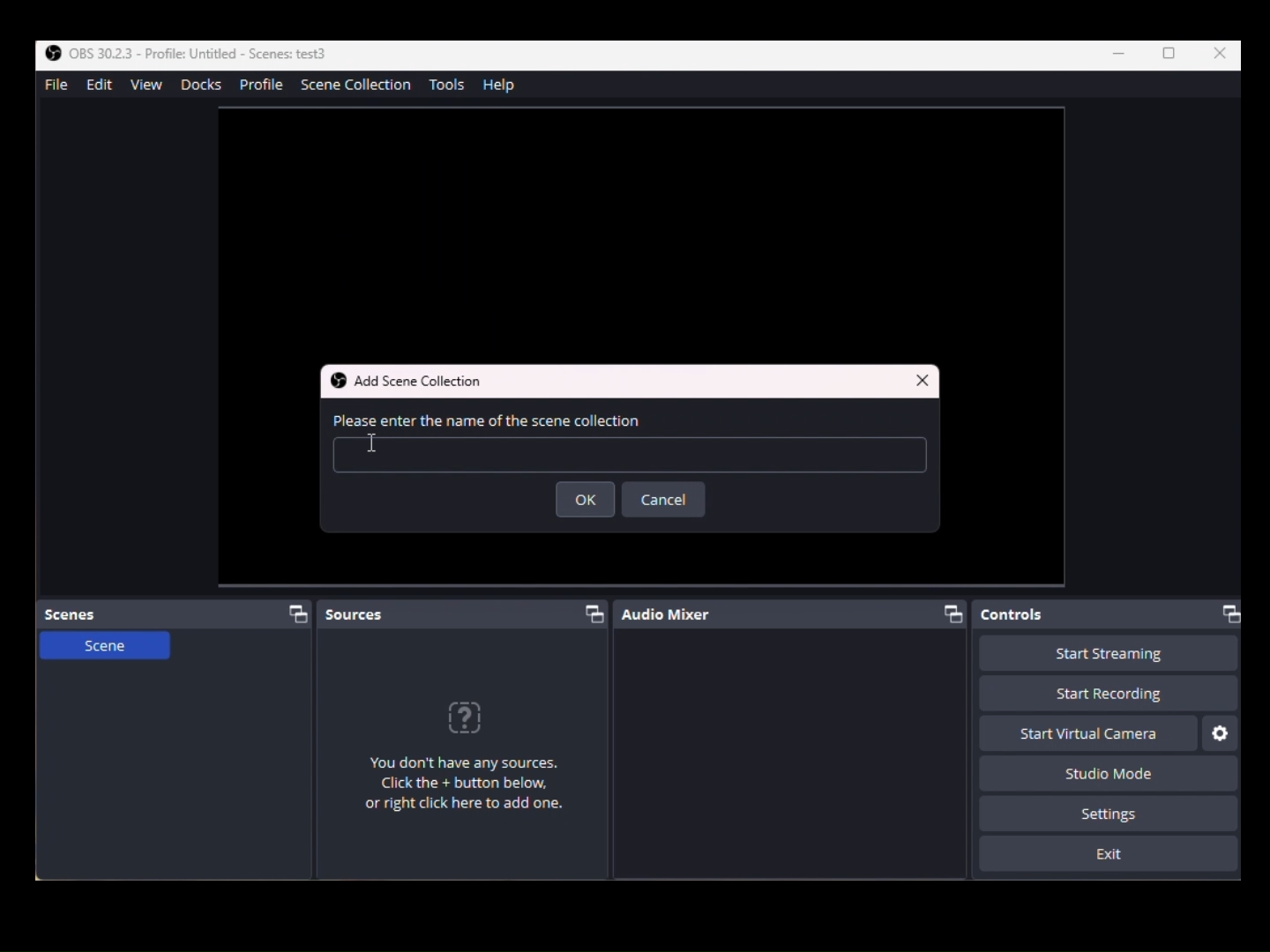  I want to click on Exit, so click(1109, 855).